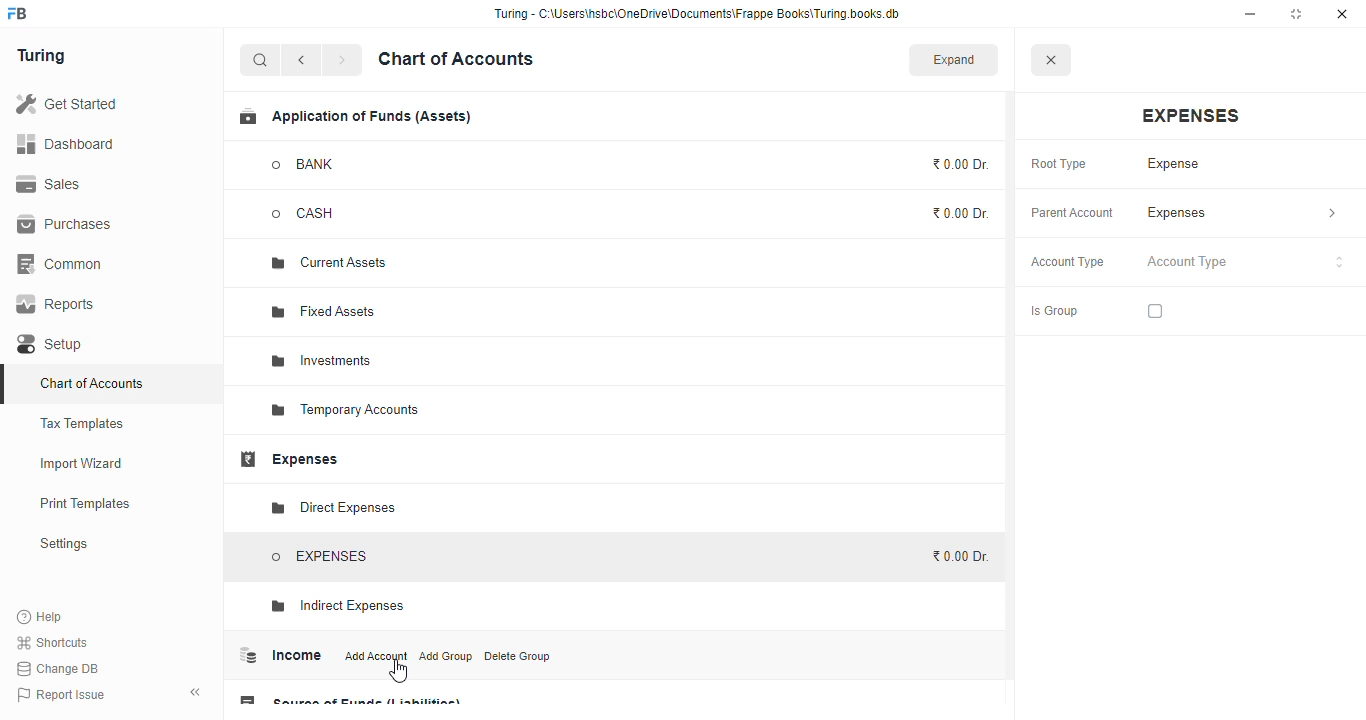 Image resolution: width=1366 pixels, height=720 pixels. I want to click on direct expenses, so click(332, 509).